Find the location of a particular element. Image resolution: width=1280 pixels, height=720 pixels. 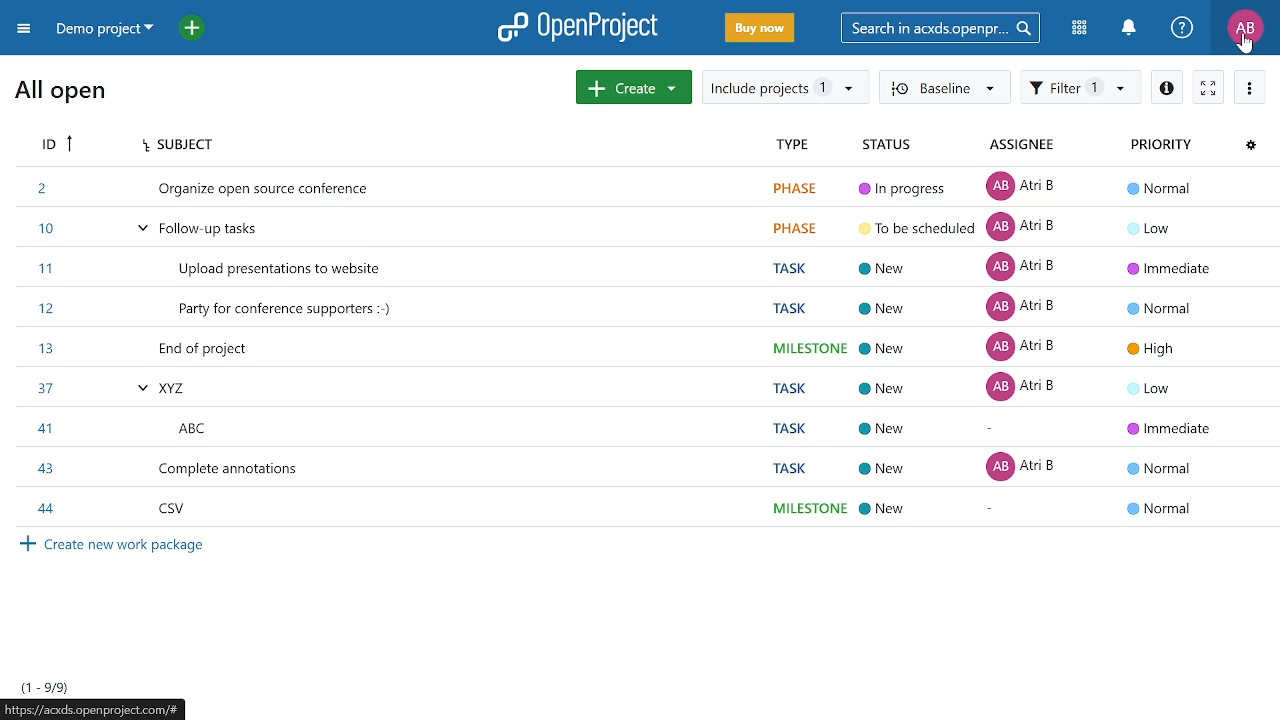

Property is located at coordinates (1155, 144).